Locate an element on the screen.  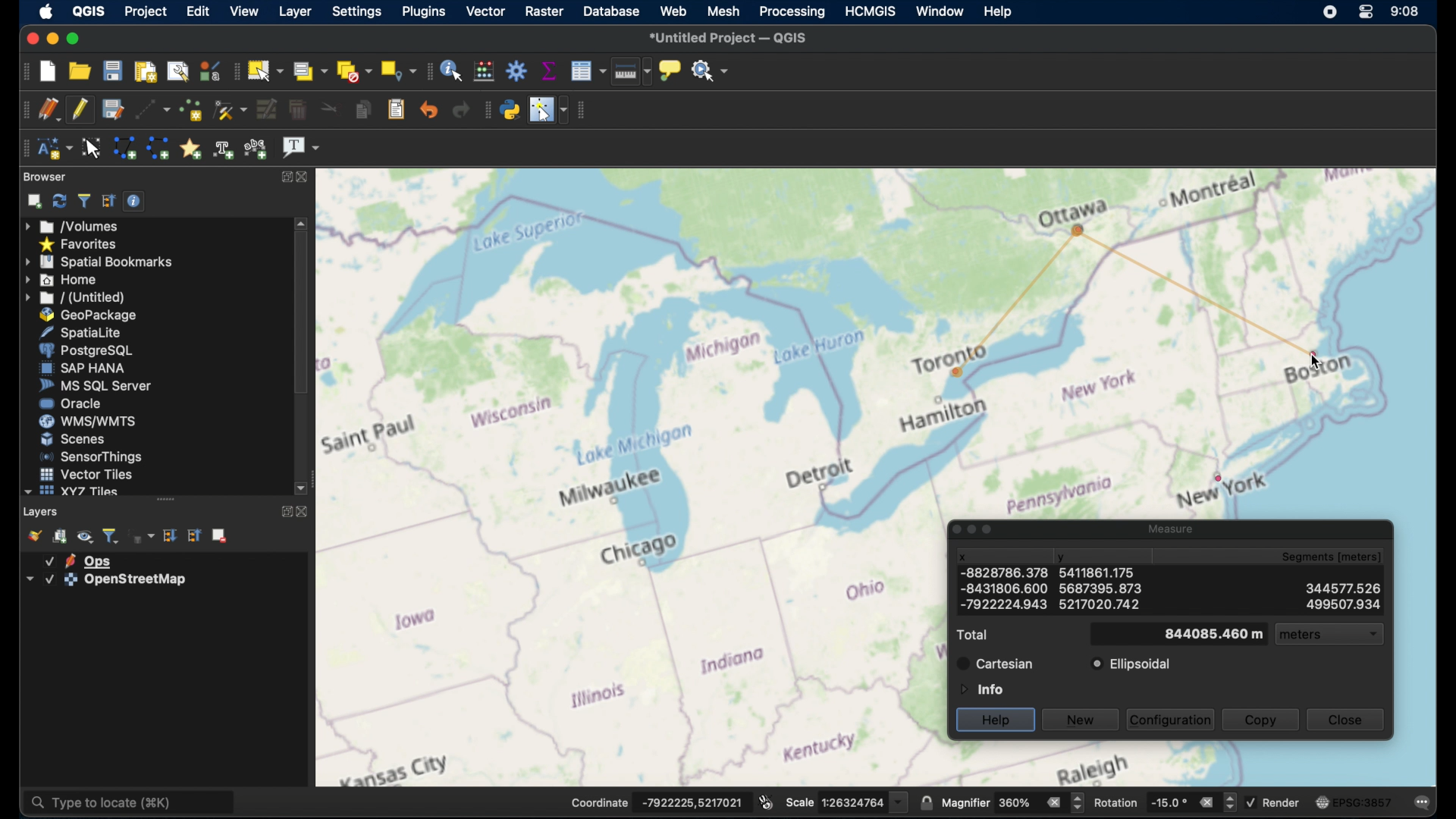
delete selected is located at coordinates (297, 110).